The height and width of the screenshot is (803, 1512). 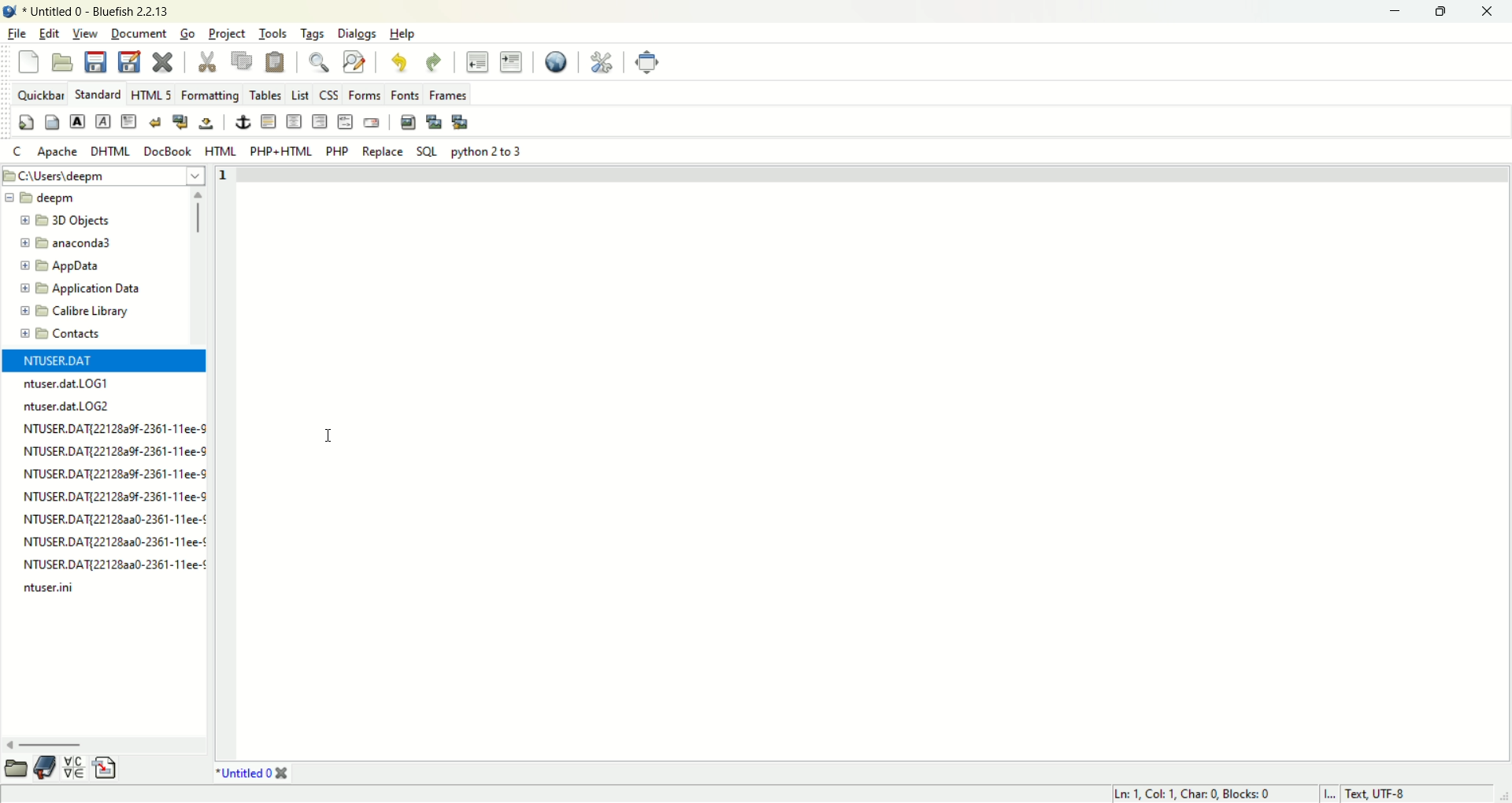 I want to click on view in browser, so click(x=558, y=63).